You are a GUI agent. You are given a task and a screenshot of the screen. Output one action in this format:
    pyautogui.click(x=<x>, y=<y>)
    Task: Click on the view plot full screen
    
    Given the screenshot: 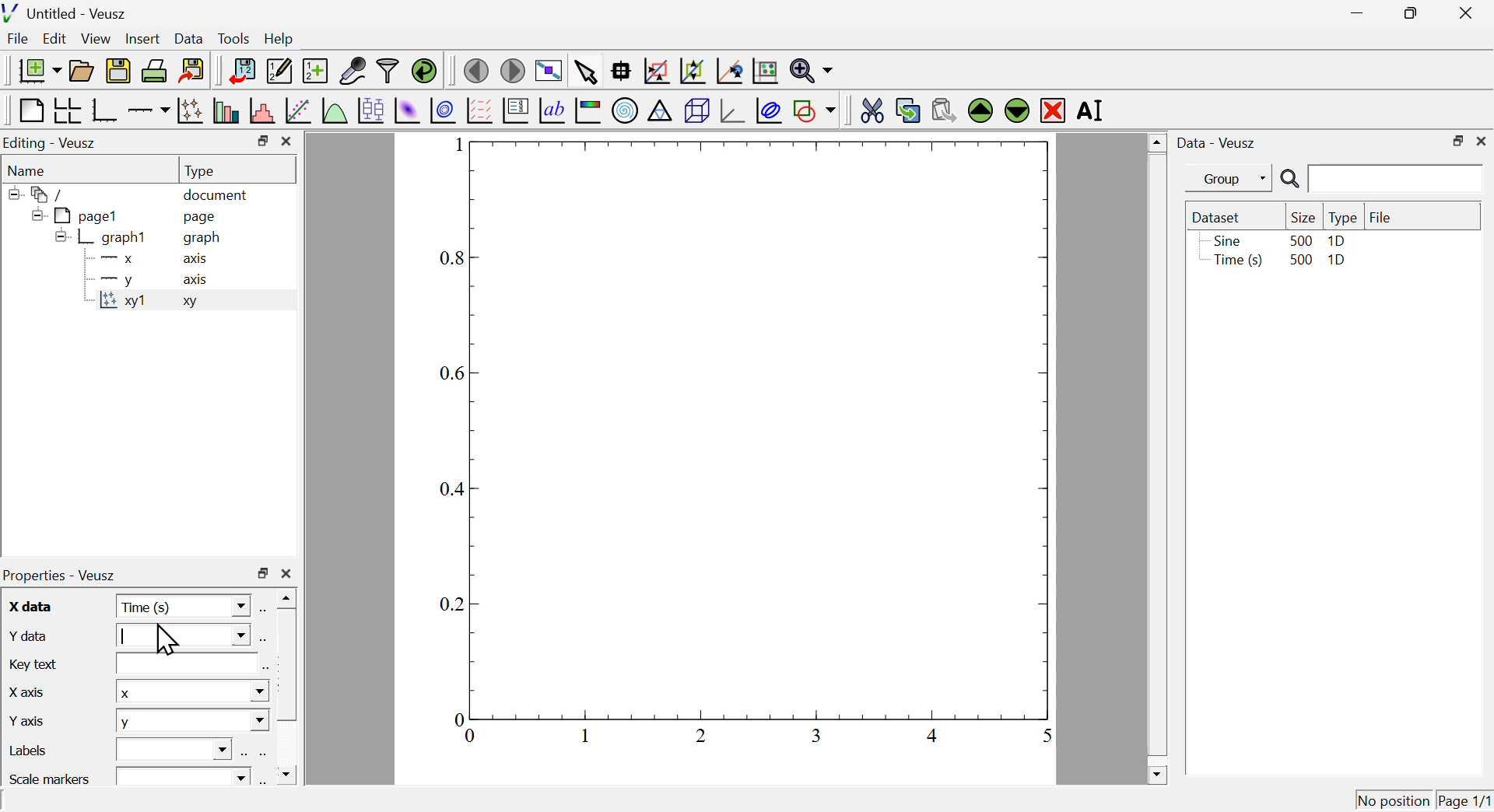 What is the action you would take?
    pyautogui.click(x=549, y=69)
    